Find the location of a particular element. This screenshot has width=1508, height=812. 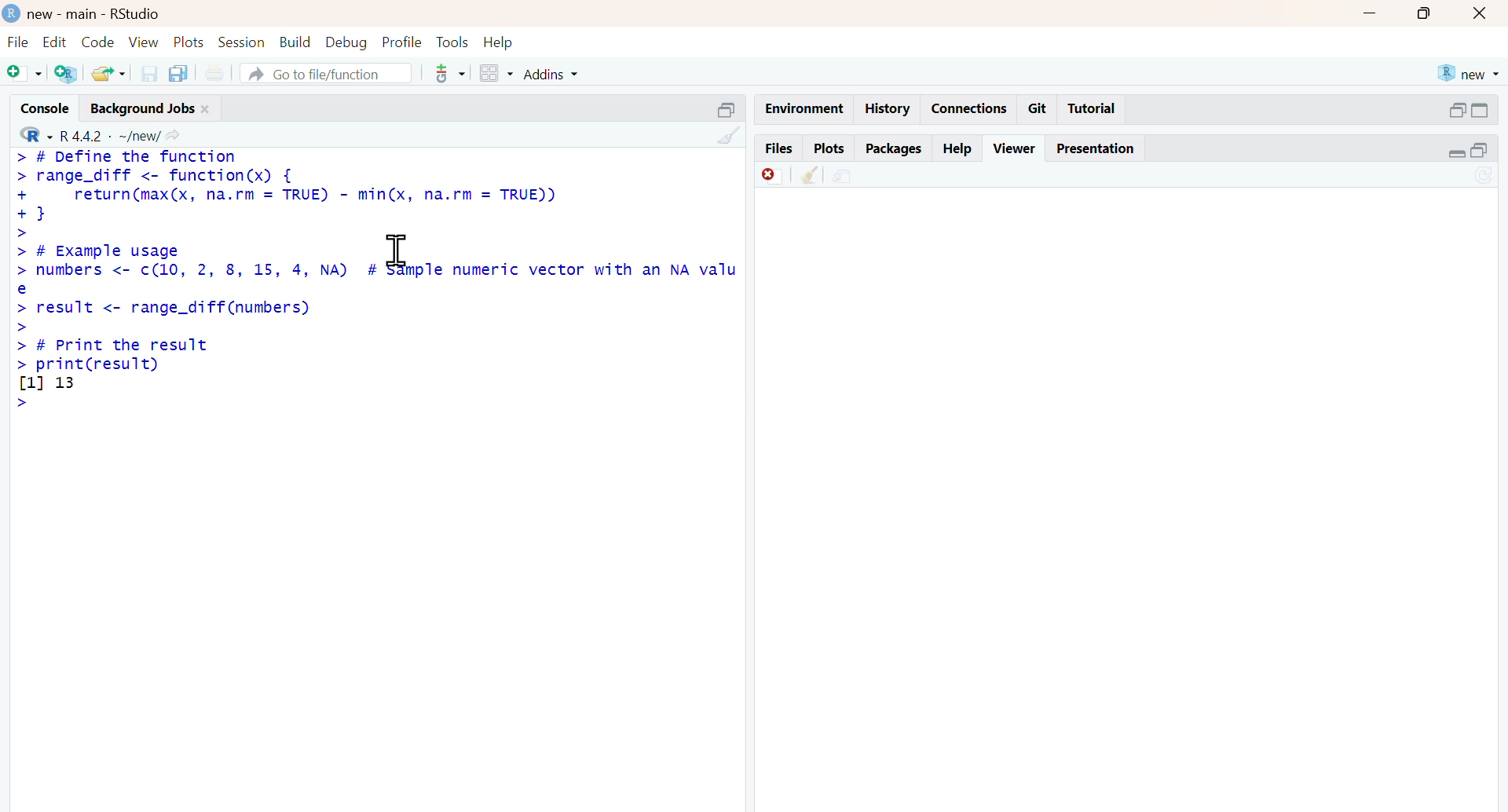

R is located at coordinates (35, 134).